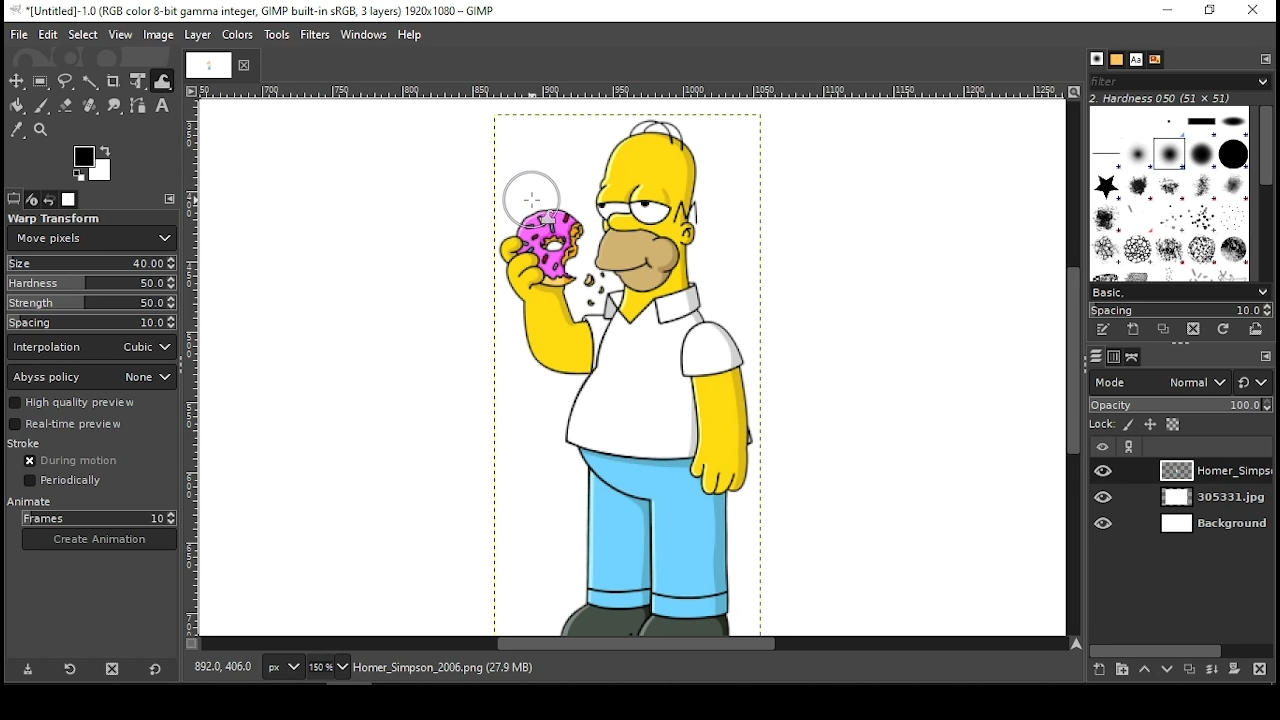 This screenshot has width=1280, height=720. Describe the element at coordinates (1261, 671) in the screenshot. I see `delete layer` at that location.